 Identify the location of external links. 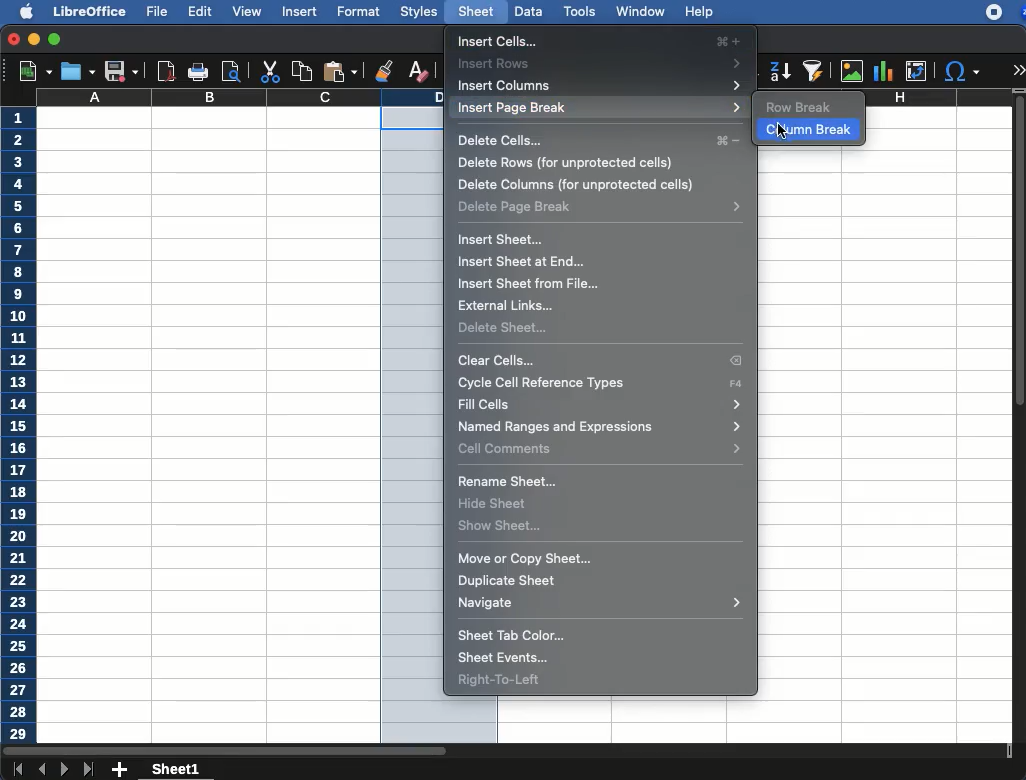
(509, 308).